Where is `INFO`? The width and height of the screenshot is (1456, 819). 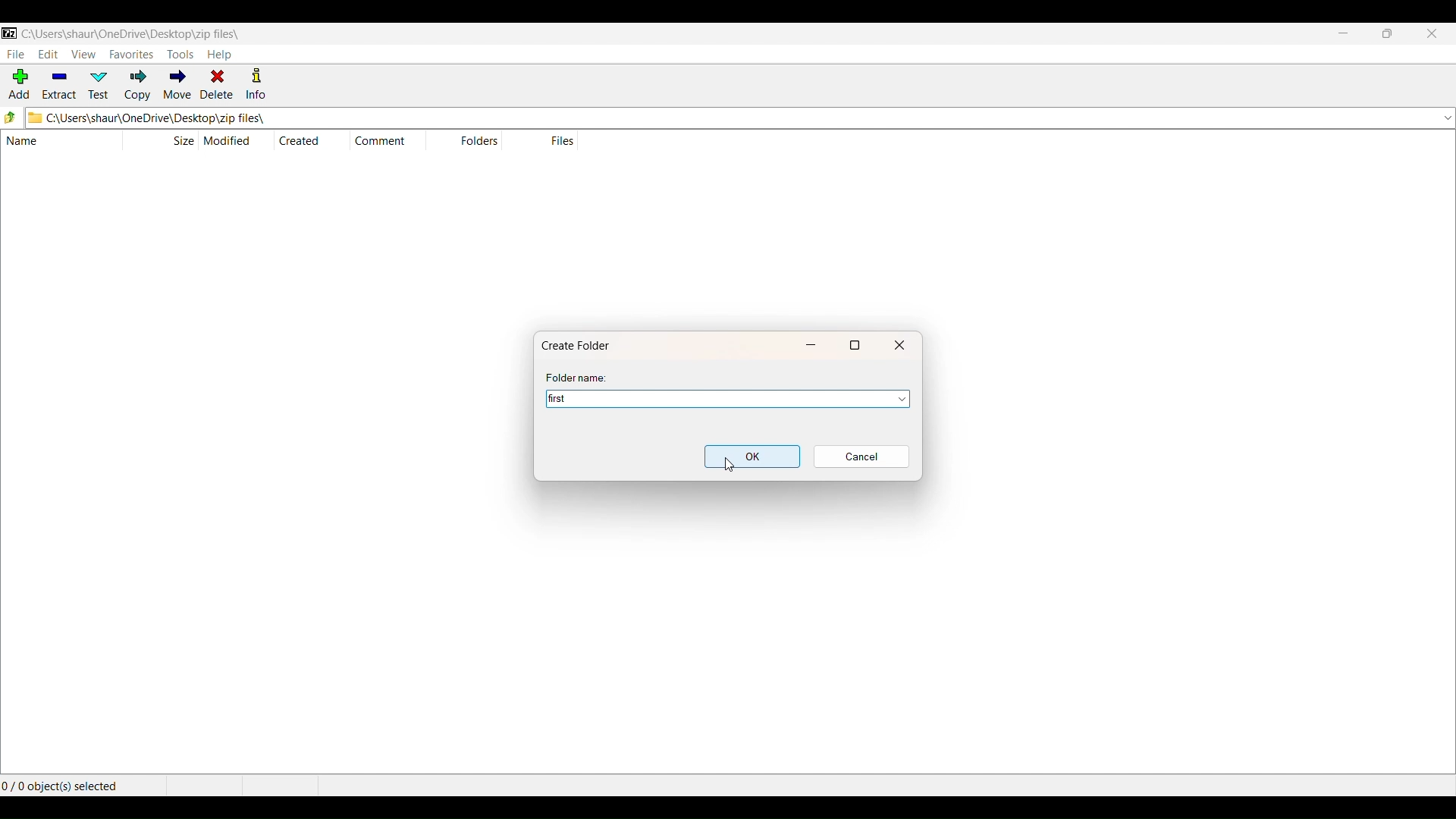 INFO is located at coordinates (259, 85).